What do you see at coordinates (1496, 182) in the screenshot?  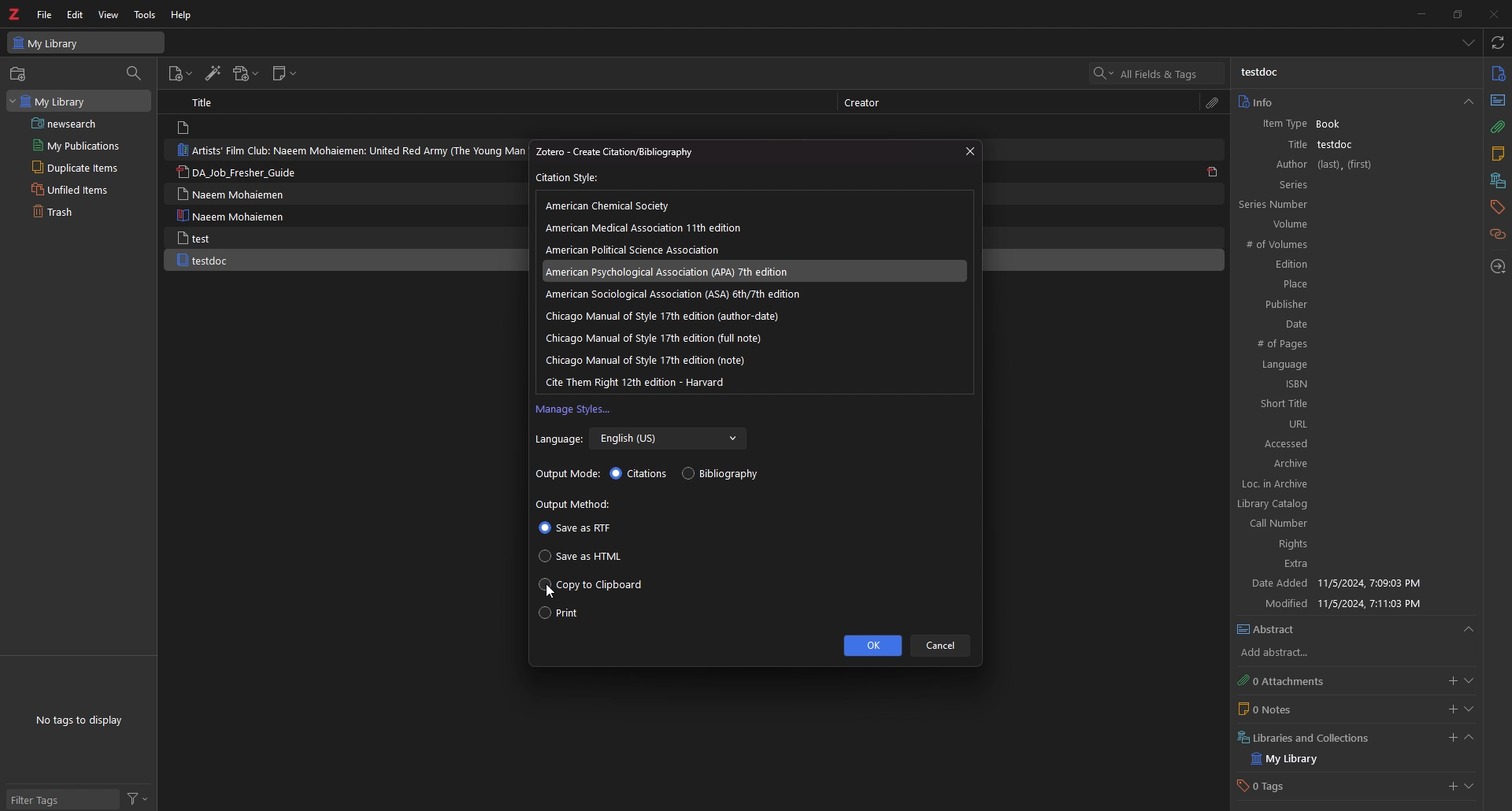 I see `collection and libraries` at bounding box center [1496, 182].